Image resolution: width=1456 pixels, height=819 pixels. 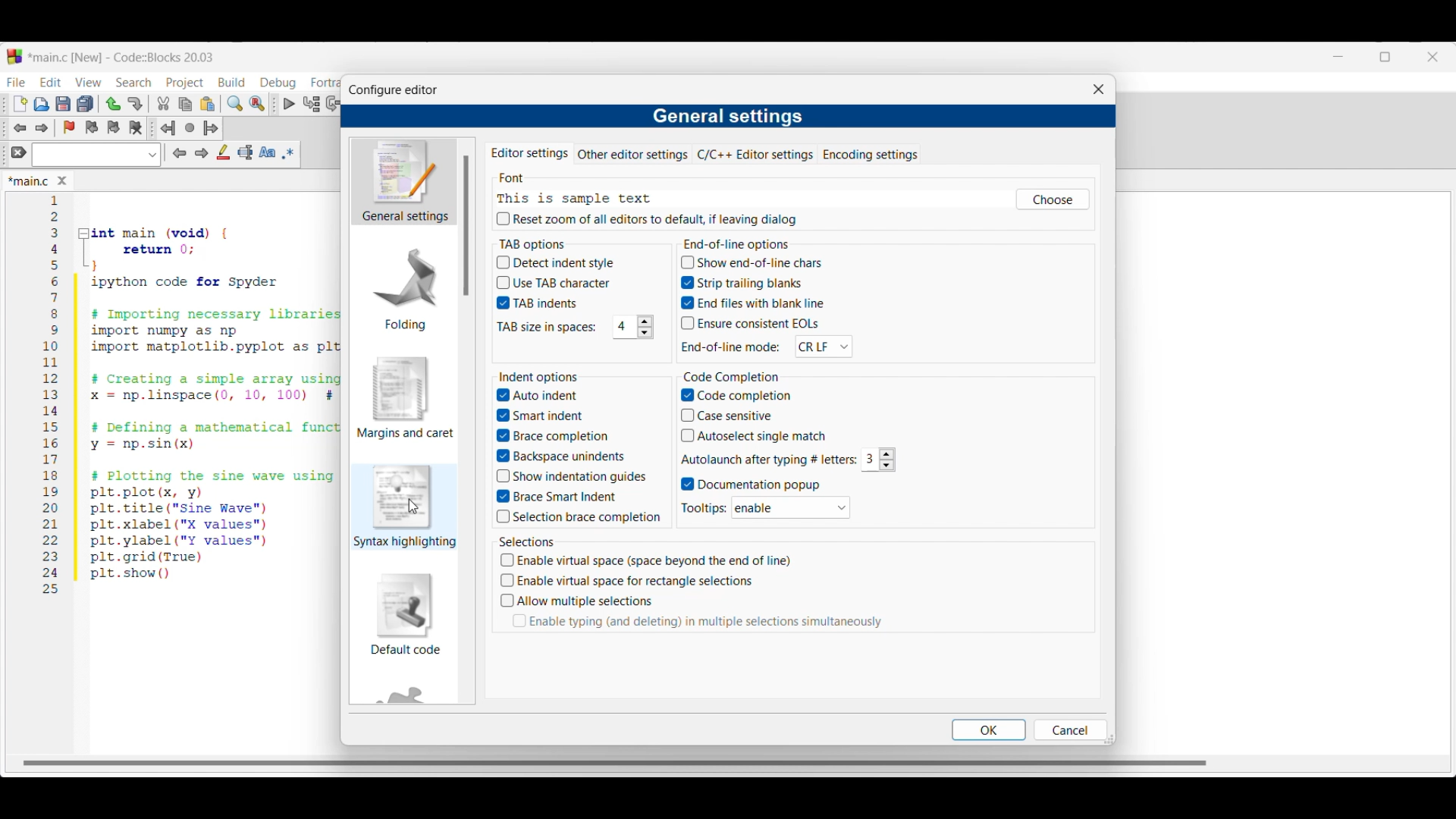 I want to click on New file, so click(x=20, y=104).